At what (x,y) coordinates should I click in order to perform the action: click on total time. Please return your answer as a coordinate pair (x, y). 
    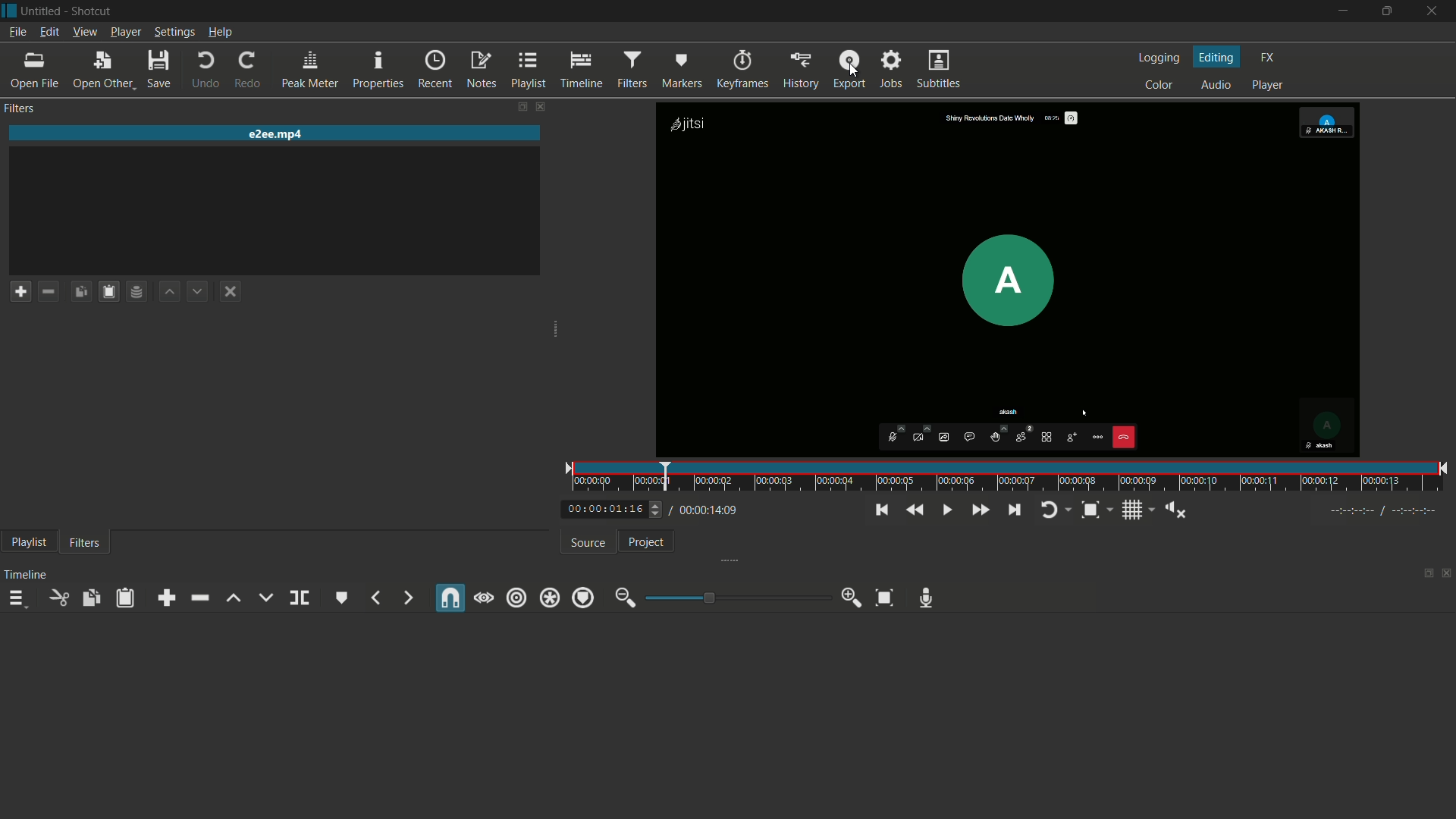
    Looking at the image, I should click on (711, 510).